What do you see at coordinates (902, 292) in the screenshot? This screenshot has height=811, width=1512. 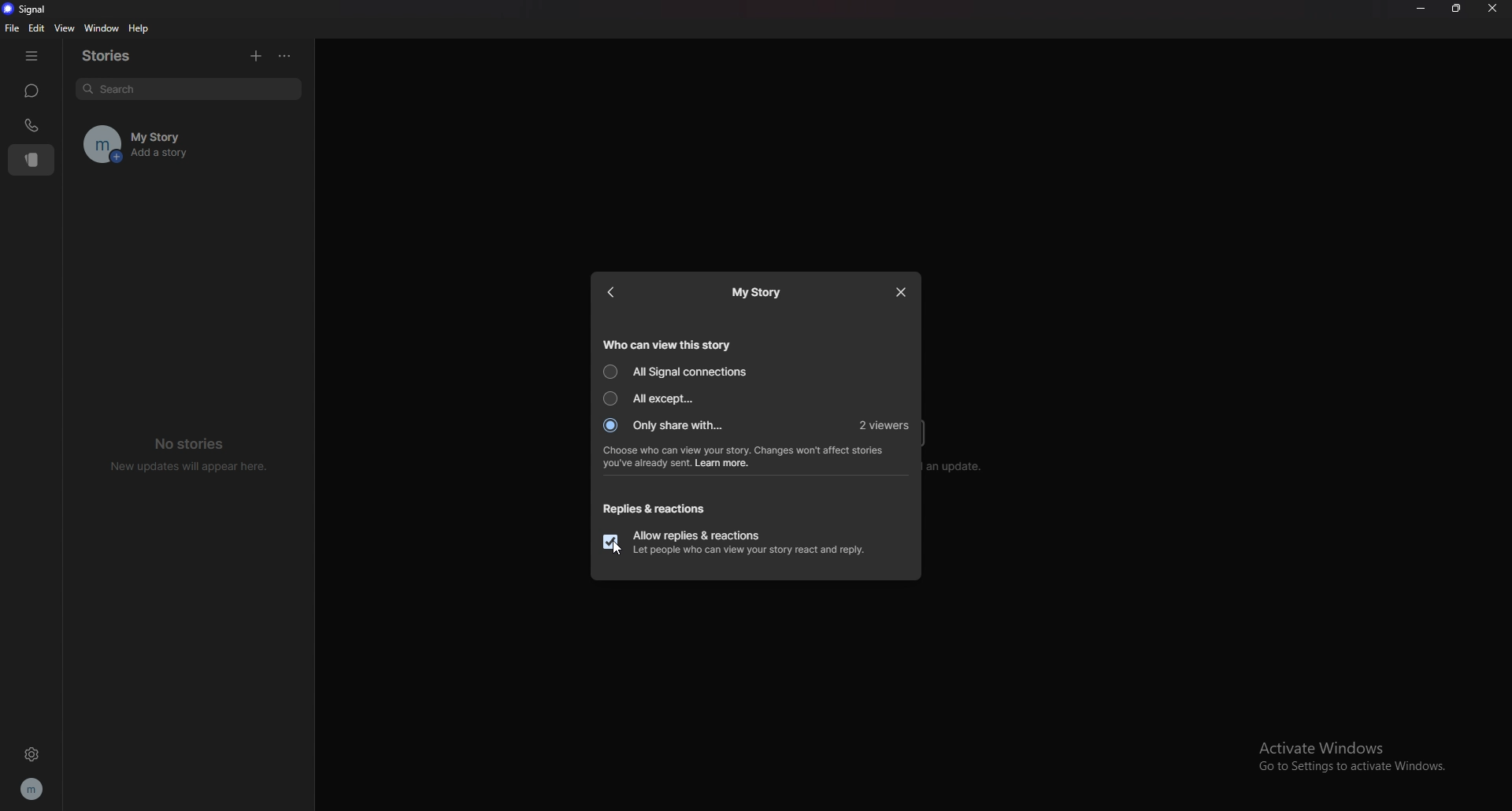 I see `close` at bounding box center [902, 292].